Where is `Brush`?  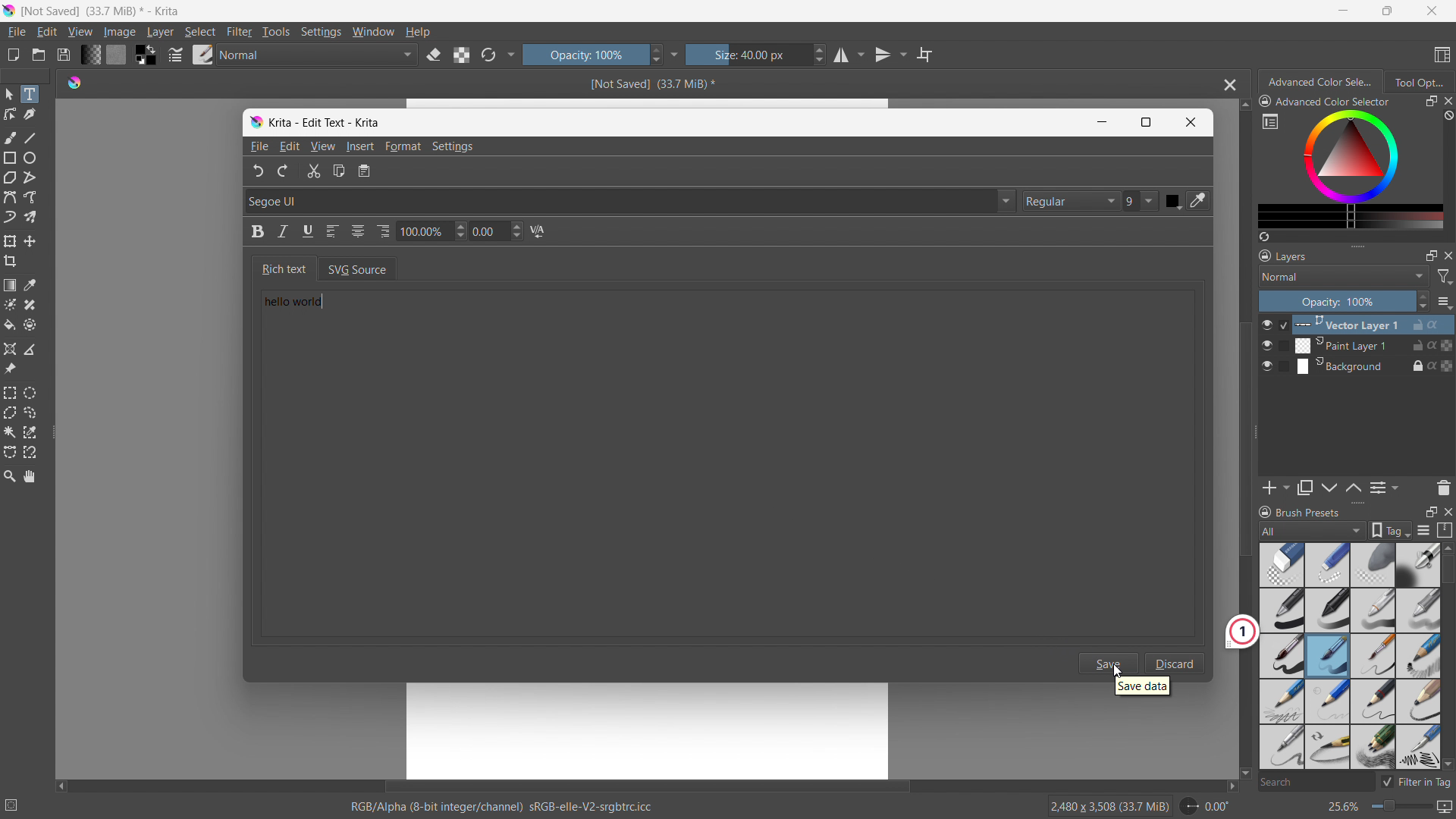
Brush is located at coordinates (1282, 654).